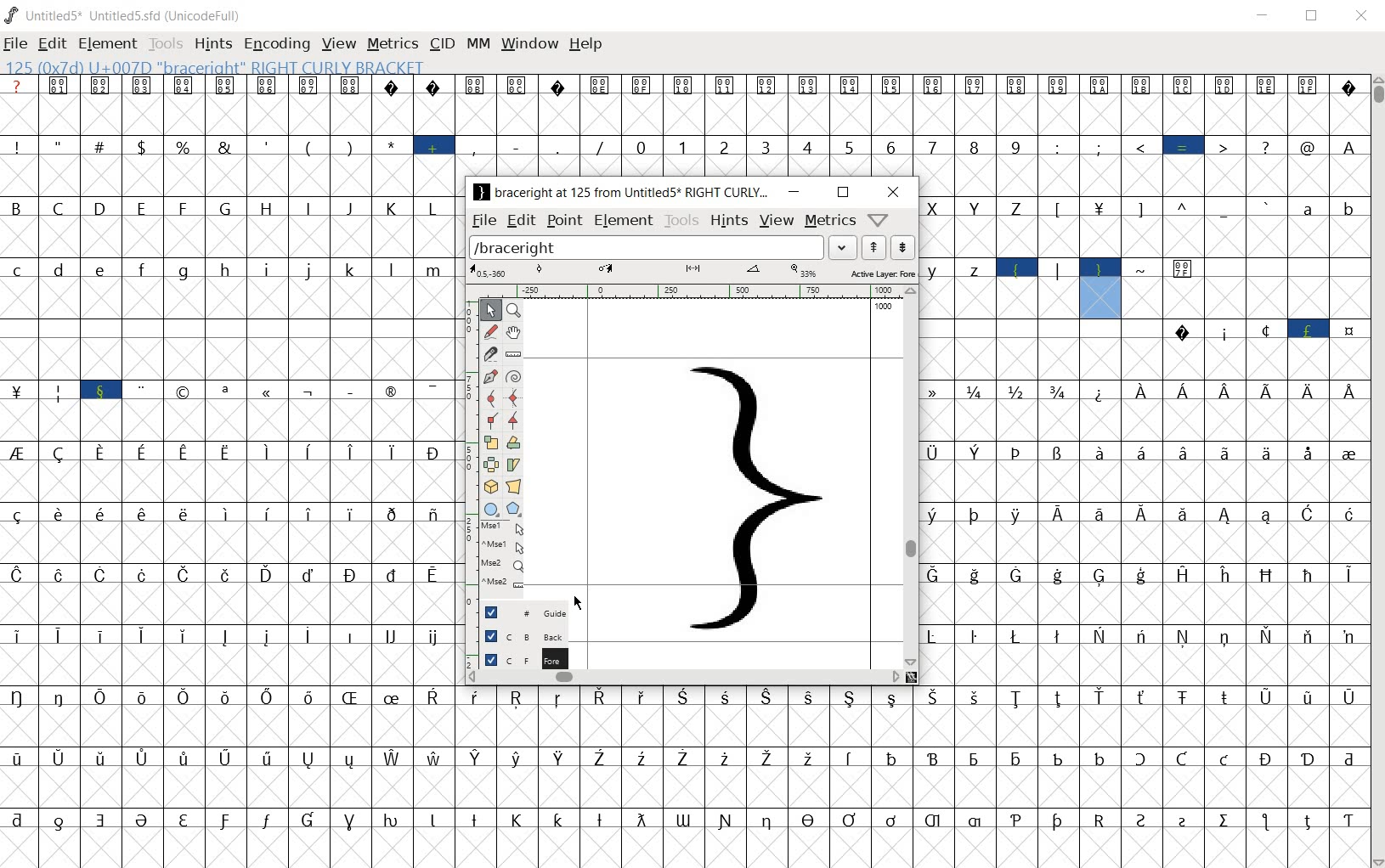 Image resolution: width=1385 pixels, height=868 pixels. Describe the element at coordinates (489, 442) in the screenshot. I see `scale the selection` at that location.